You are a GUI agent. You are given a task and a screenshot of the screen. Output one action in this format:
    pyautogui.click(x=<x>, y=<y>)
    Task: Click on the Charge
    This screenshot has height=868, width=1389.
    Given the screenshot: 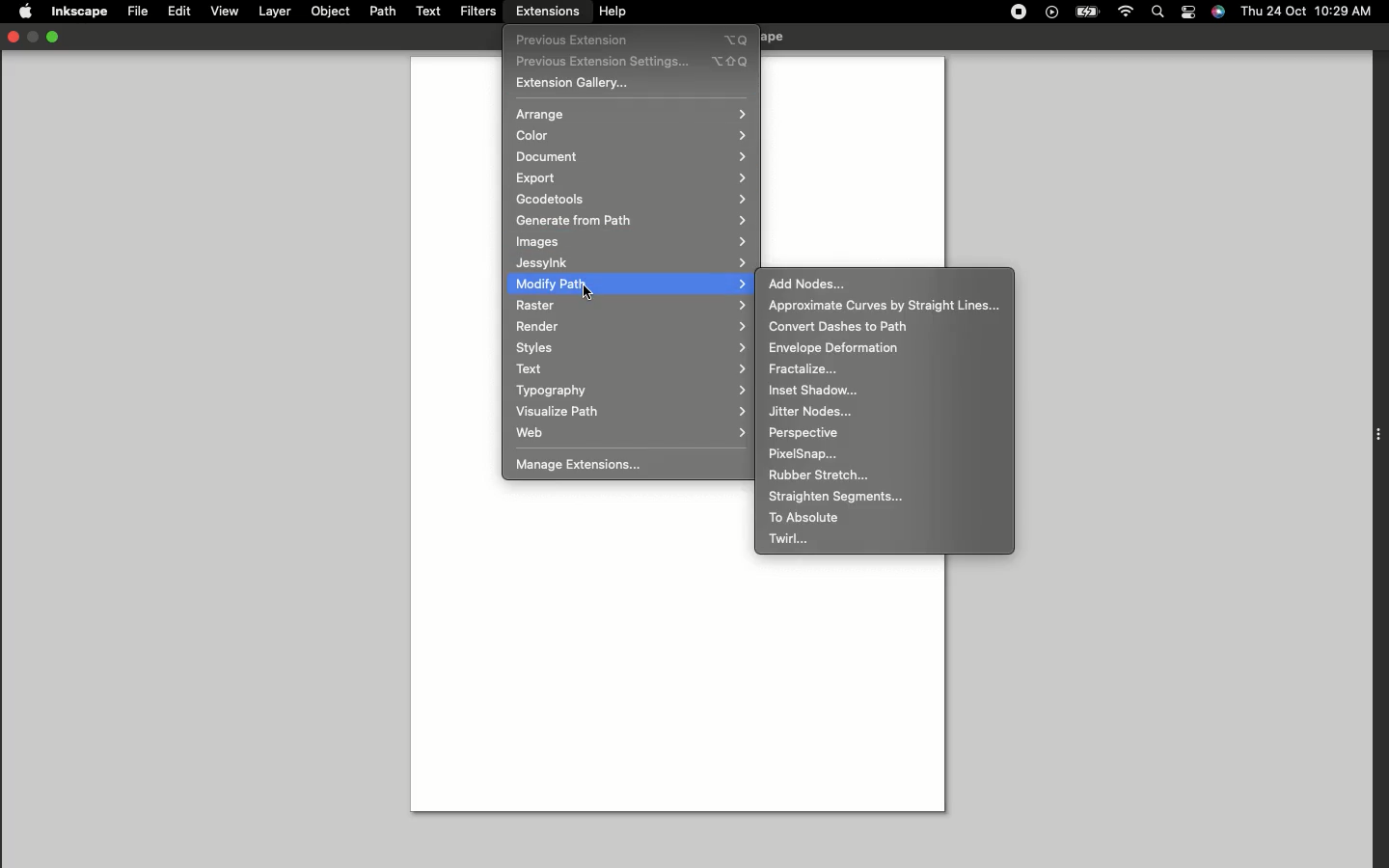 What is the action you would take?
    pyautogui.click(x=1086, y=13)
    